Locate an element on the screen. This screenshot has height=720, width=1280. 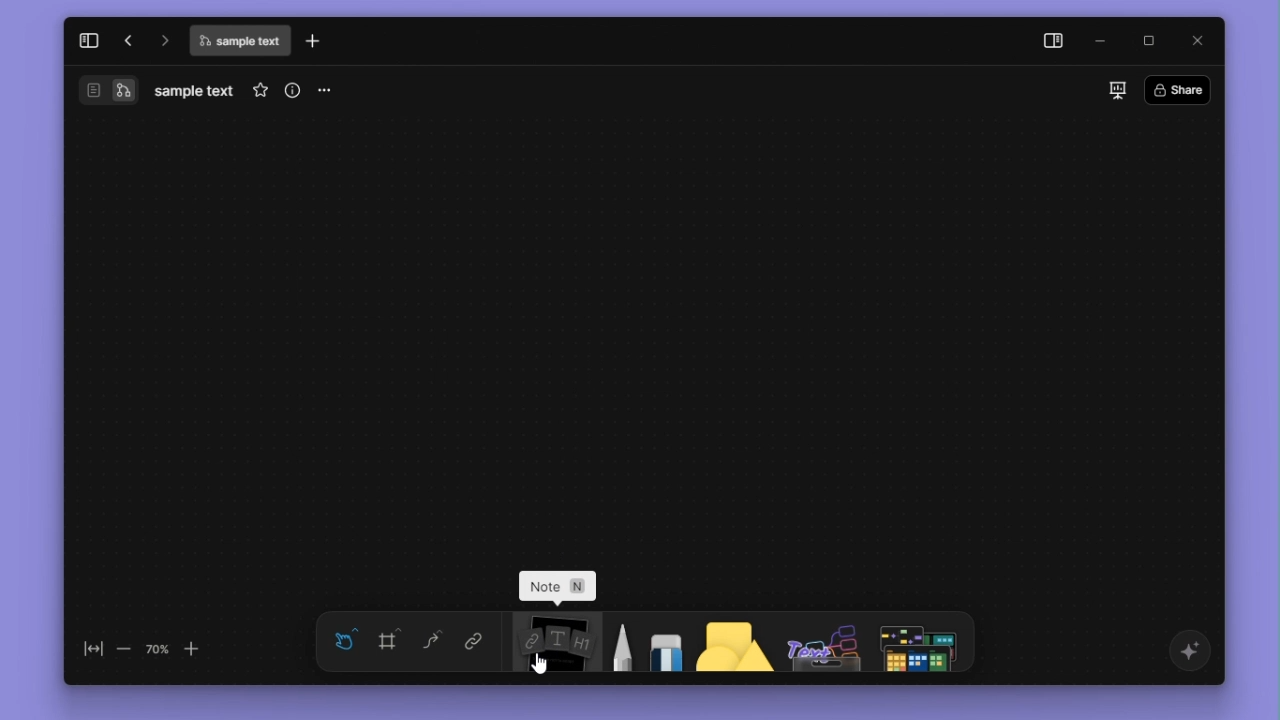
frame f is located at coordinates (390, 641).